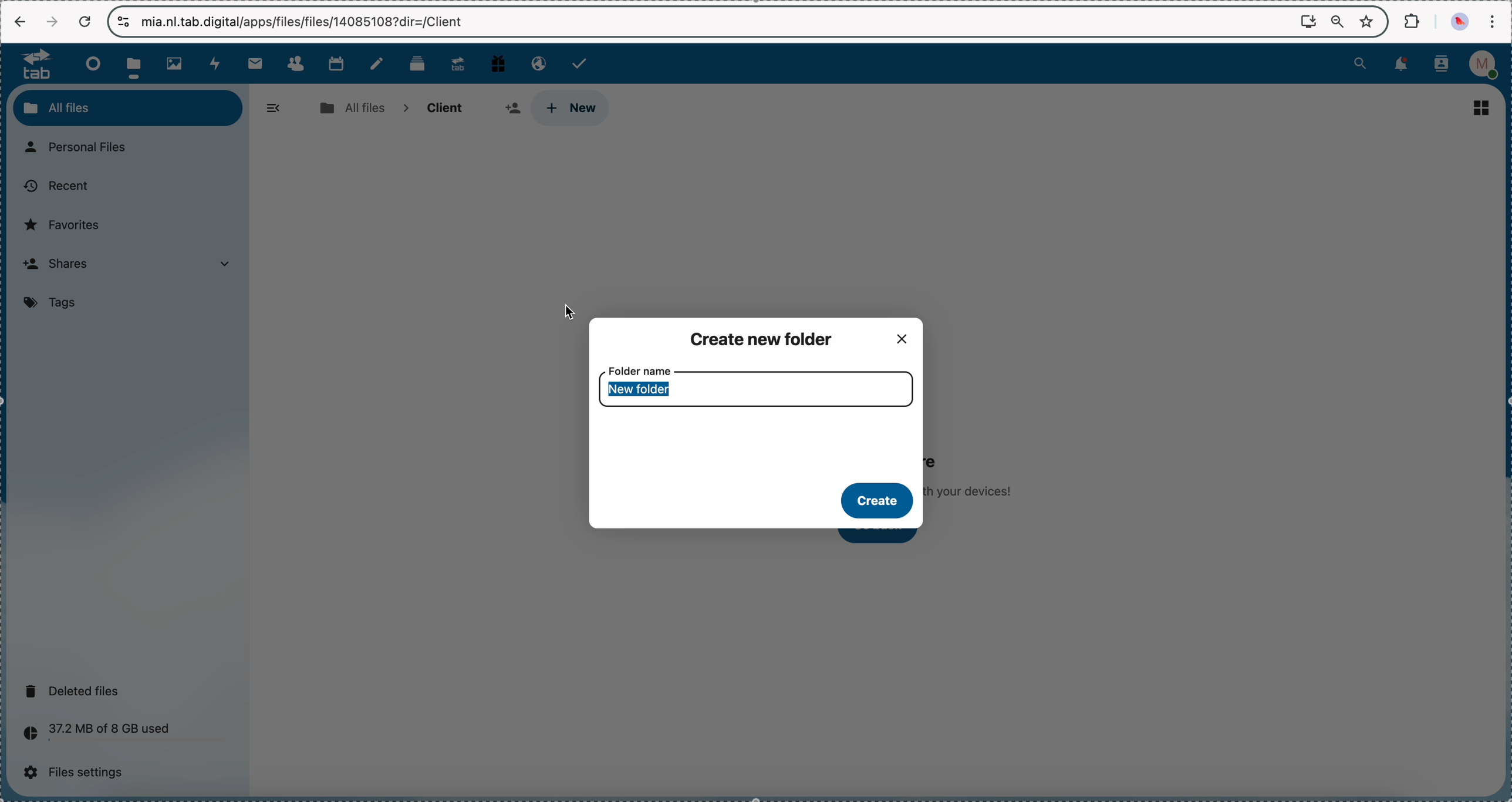  I want to click on profile, so click(1487, 65).